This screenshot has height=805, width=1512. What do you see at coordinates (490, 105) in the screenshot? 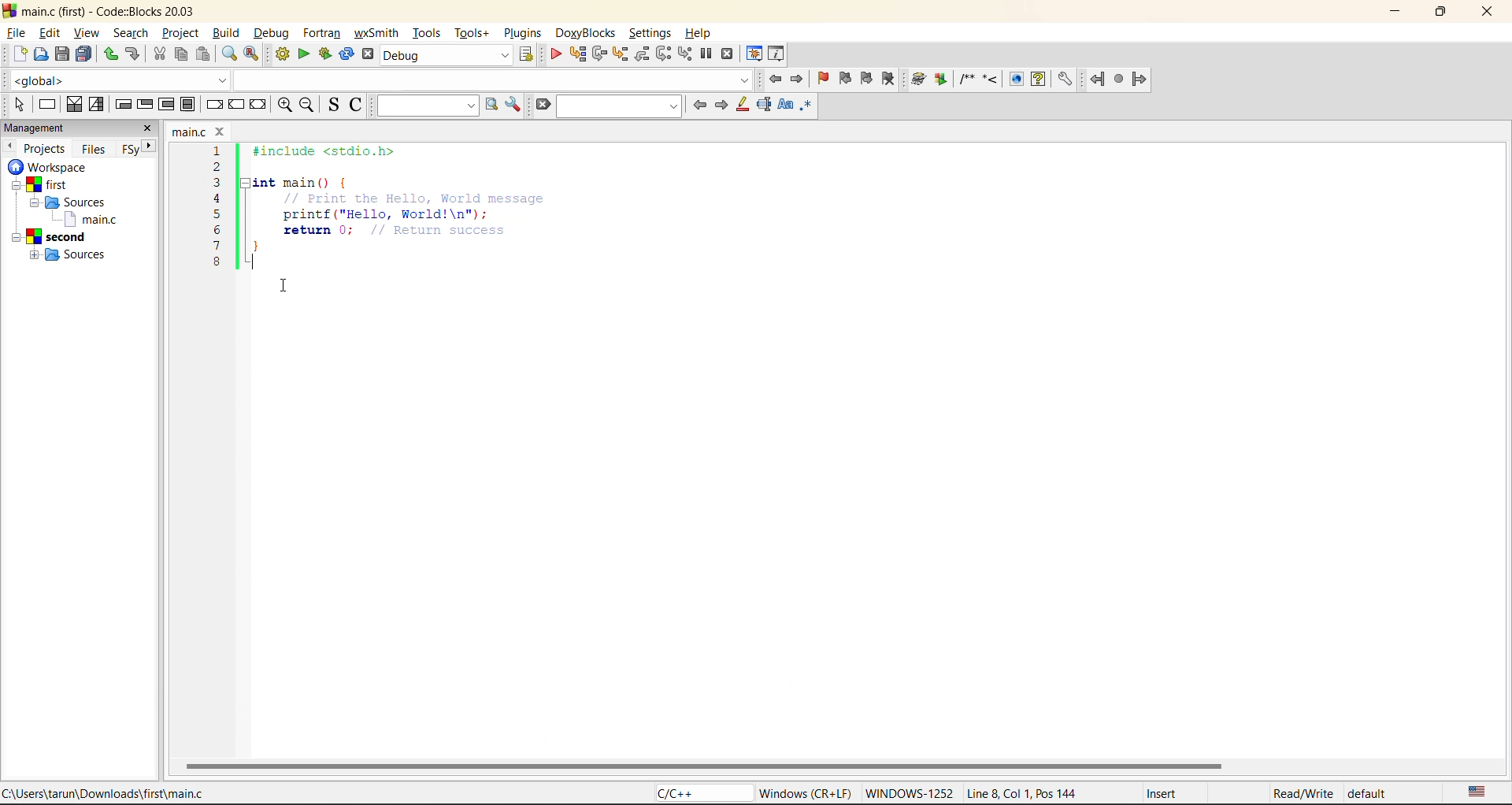
I see `run search` at bounding box center [490, 105].